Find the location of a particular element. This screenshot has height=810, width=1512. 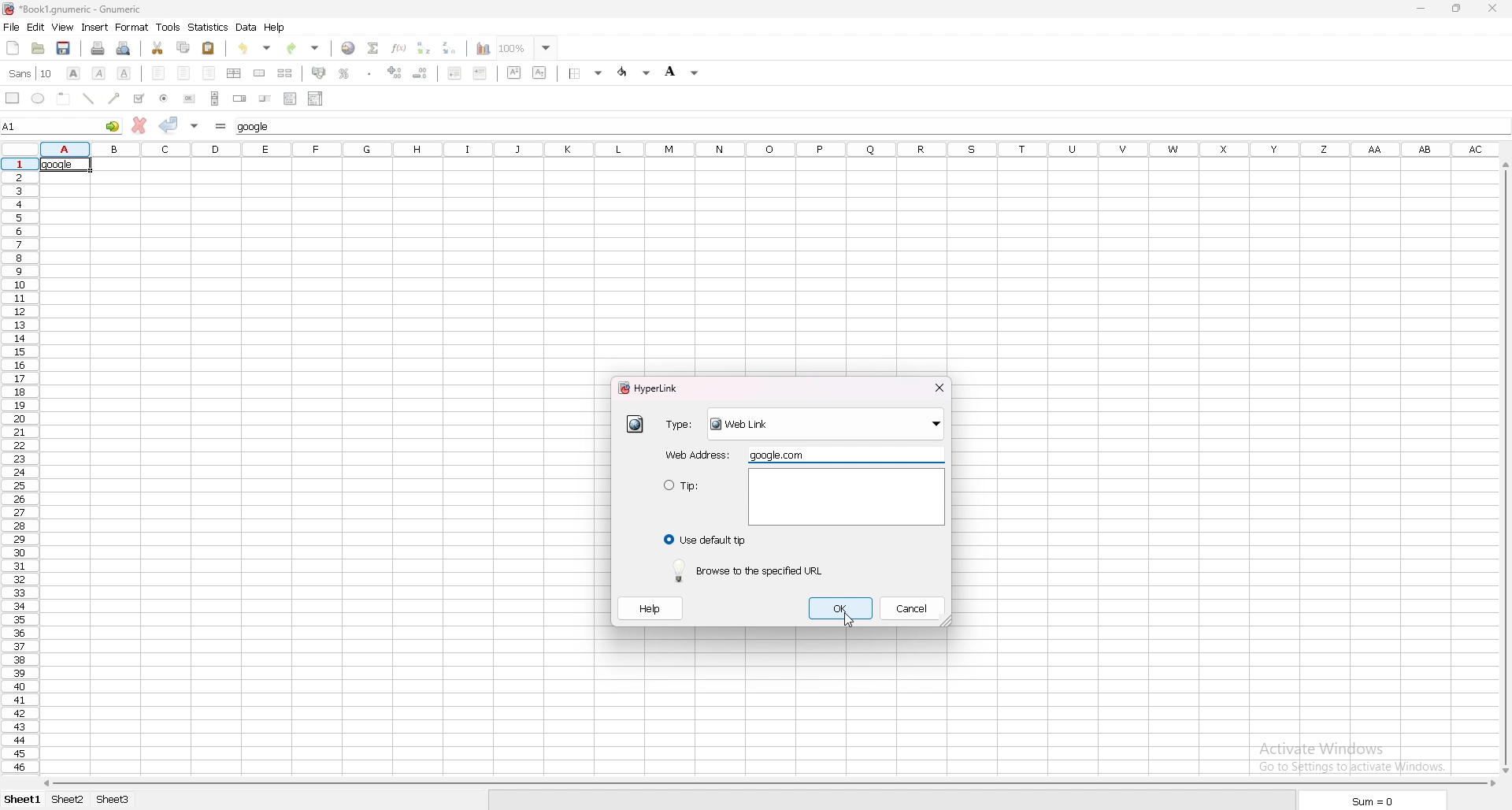

button is located at coordinates (191, 98).